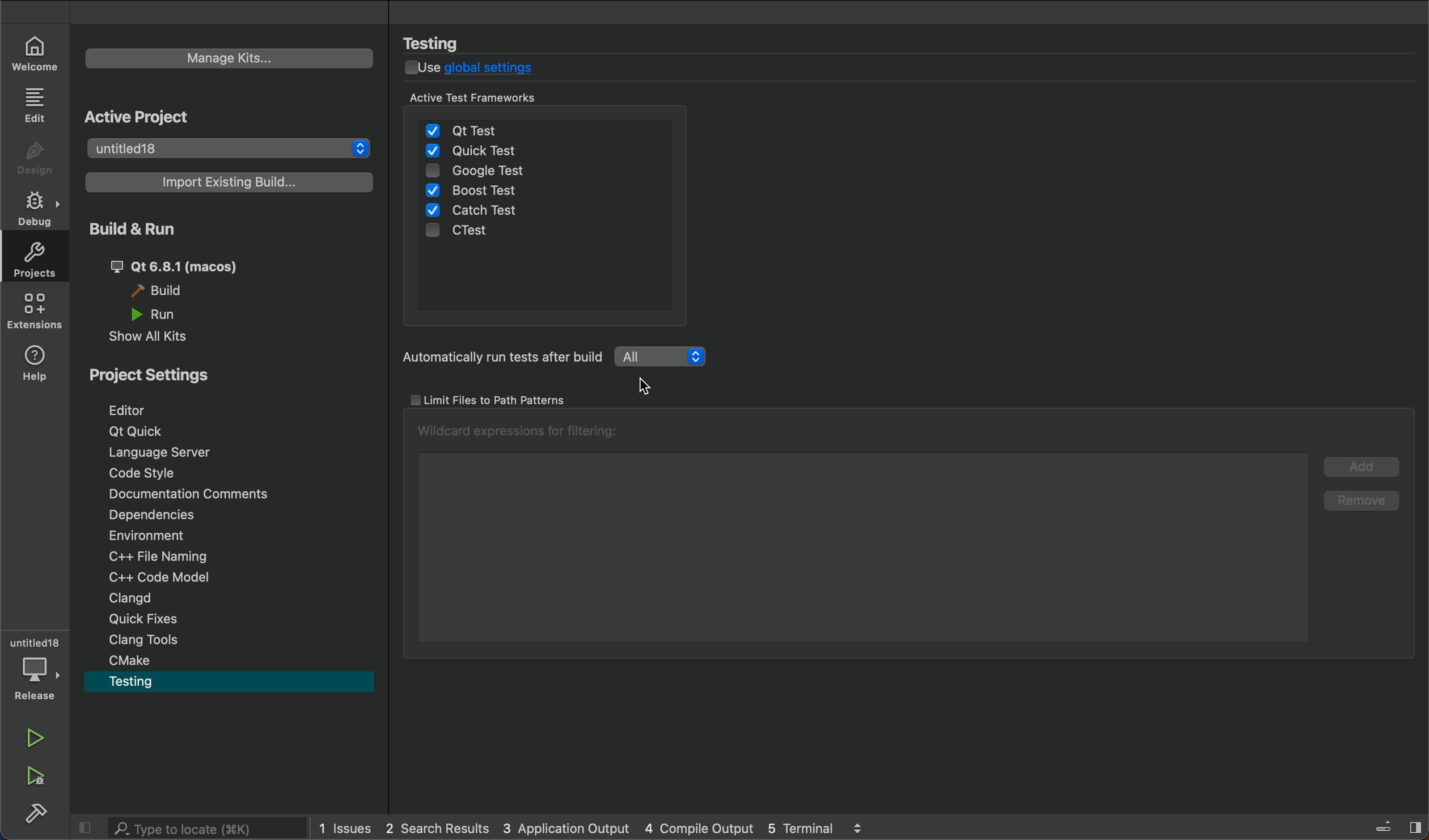 The image size is (1429, 840). Describe the element at coordinates (161, 338) in the screenshot. I see `show all kits` at that location.